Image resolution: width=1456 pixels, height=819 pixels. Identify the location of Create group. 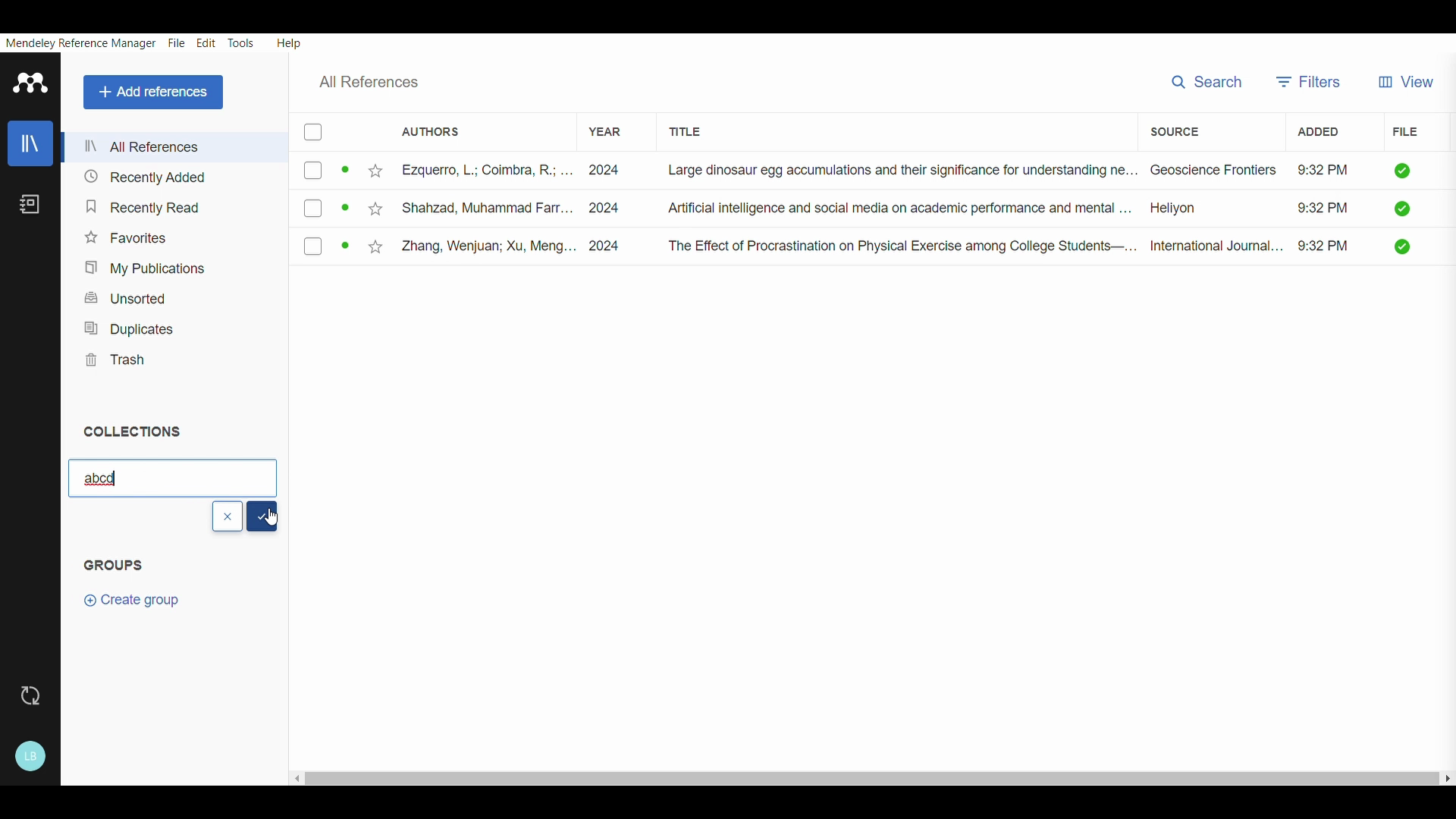
(136, 608).